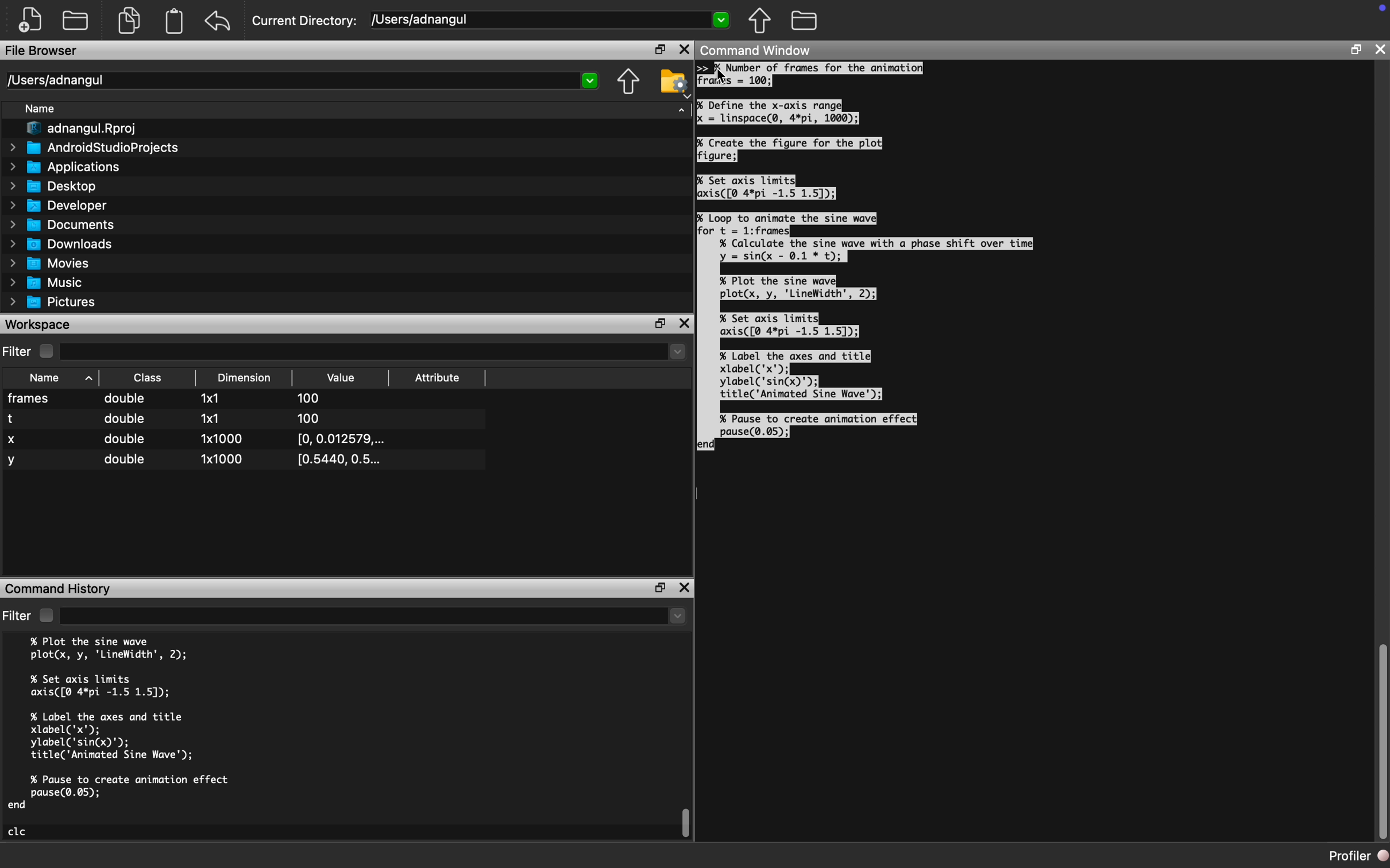  What do you see at coordinates (19, 832) in the screenshot?
I see `clc` at bounding box center [19, 832].